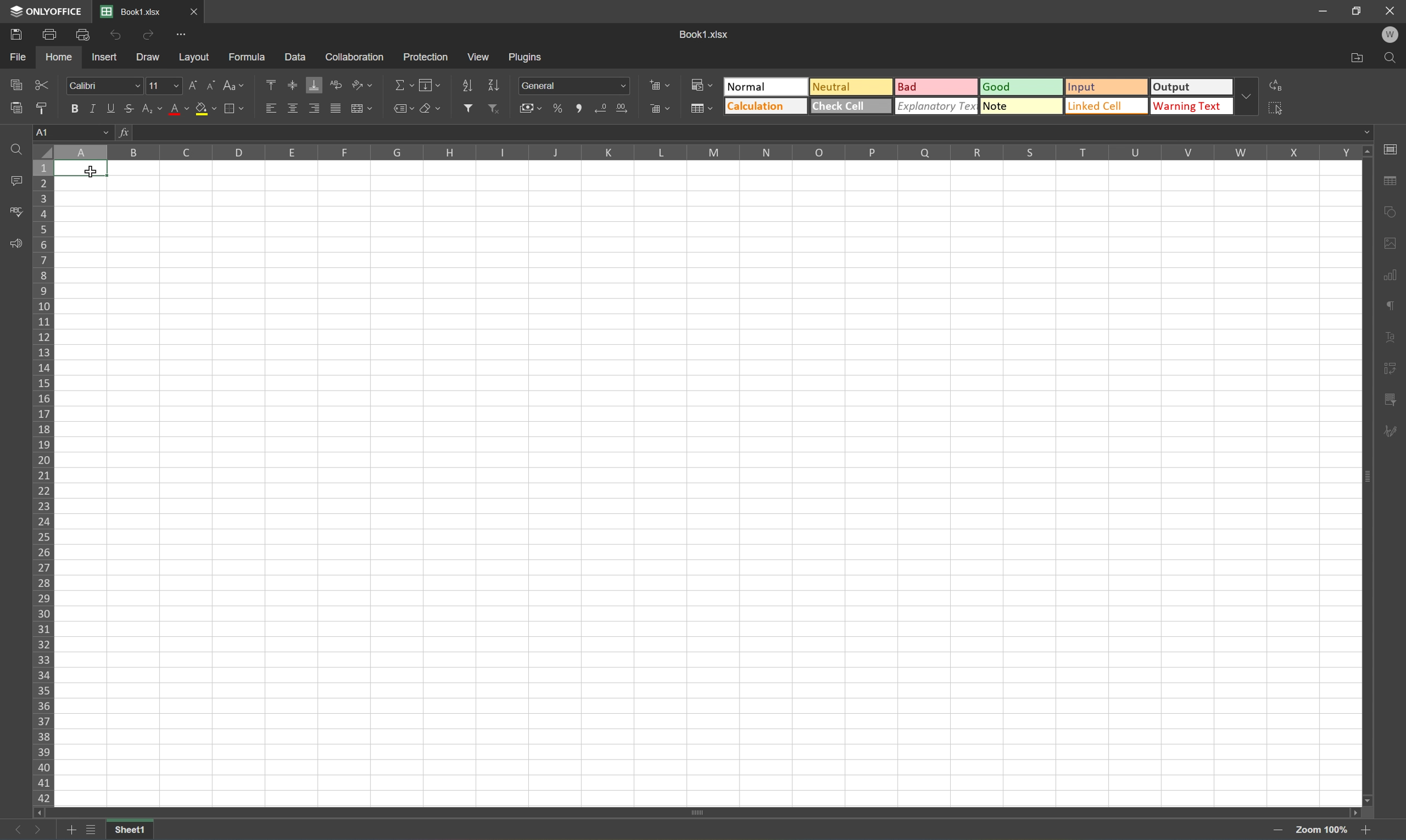 The image size is (1406, 840). Describe the element at coordinates (83, 170) in the screenshot. I see `A1` at that location.